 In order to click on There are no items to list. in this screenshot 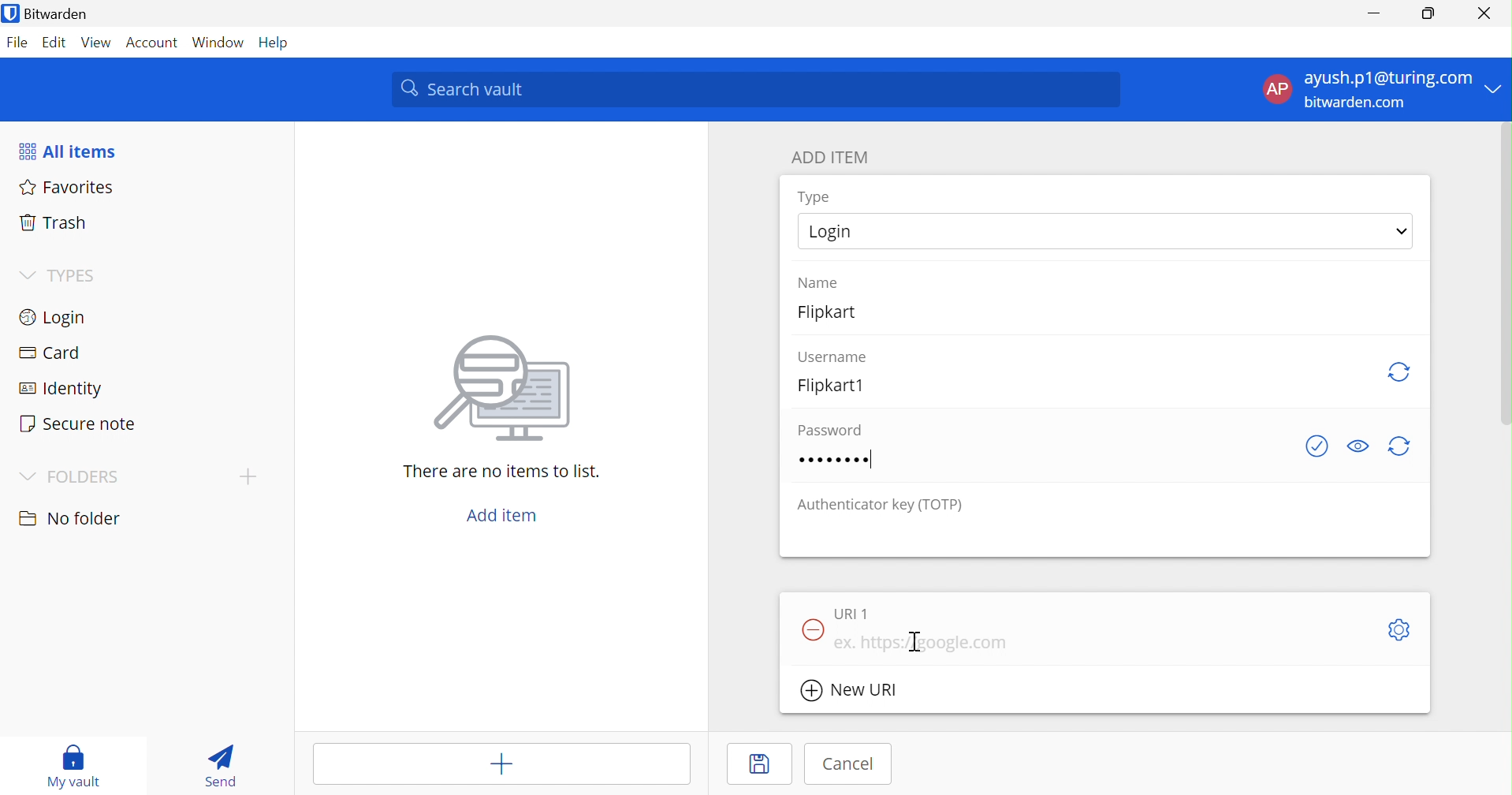, I will do `click(503, 473)`.